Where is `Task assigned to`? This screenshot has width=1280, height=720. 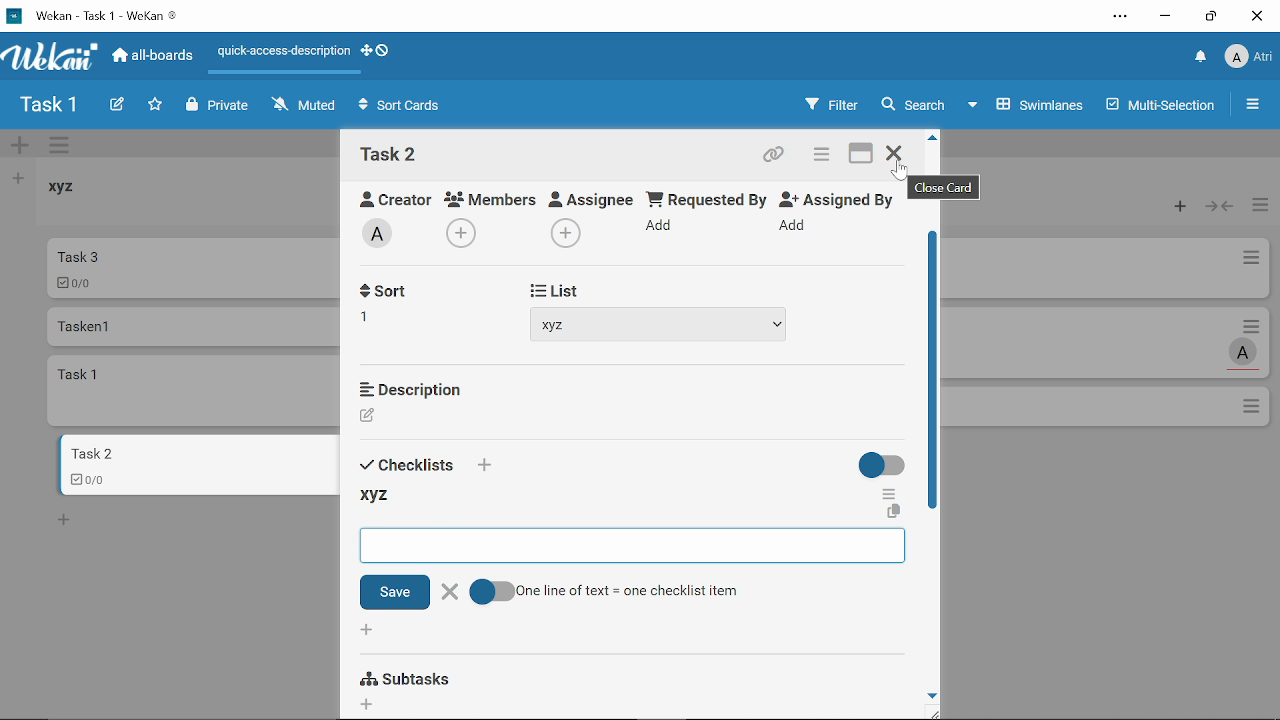 Task assigned to is located at coordinates (1245, 352).